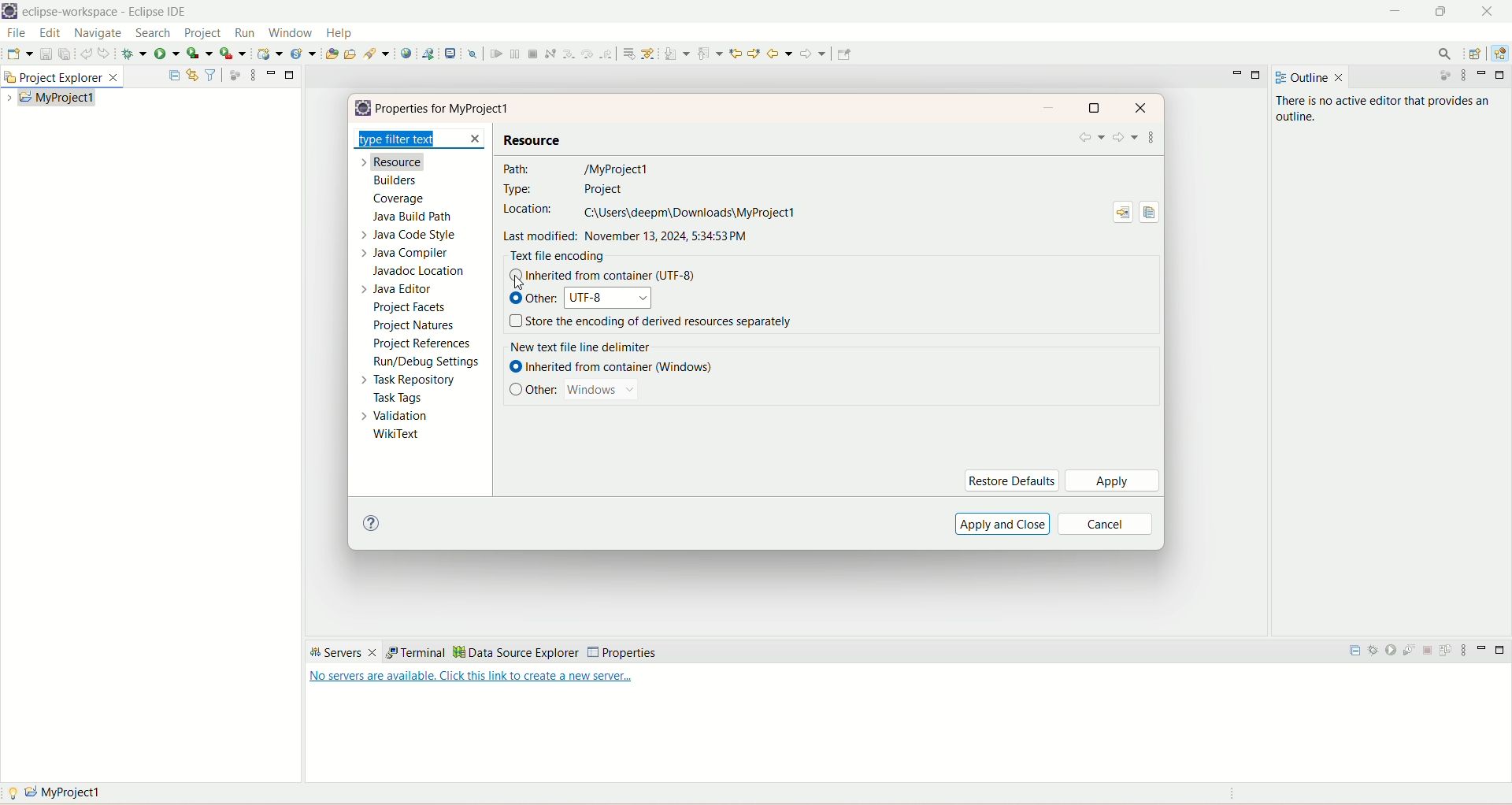 Image resolution: width=1512 pixels, height=805 pixels. What do you see at coordinates (174, 72) in the screenshot?
I see `collapse all` at bounding box center [174, 72].